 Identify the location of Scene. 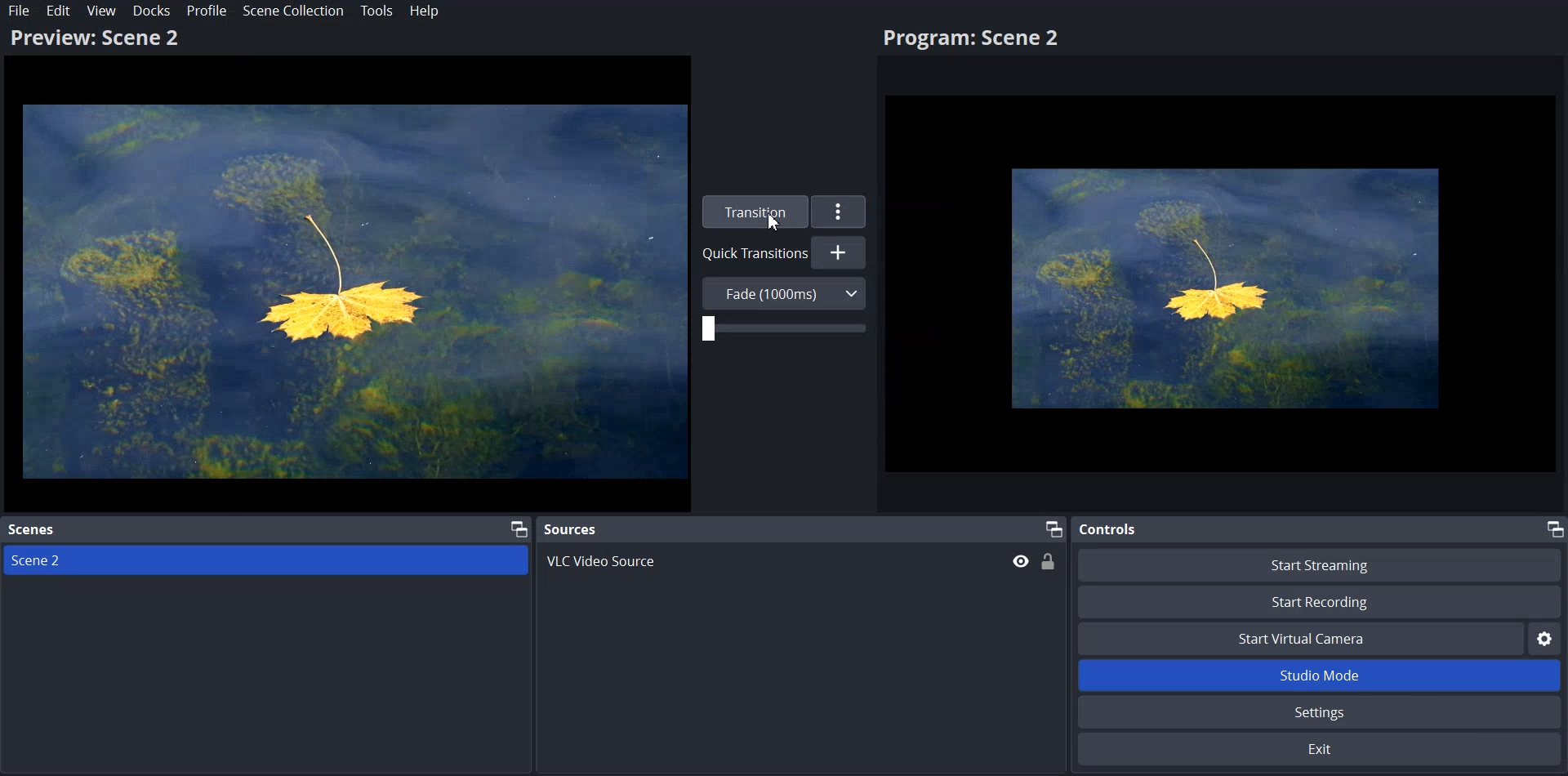
(99, 564).